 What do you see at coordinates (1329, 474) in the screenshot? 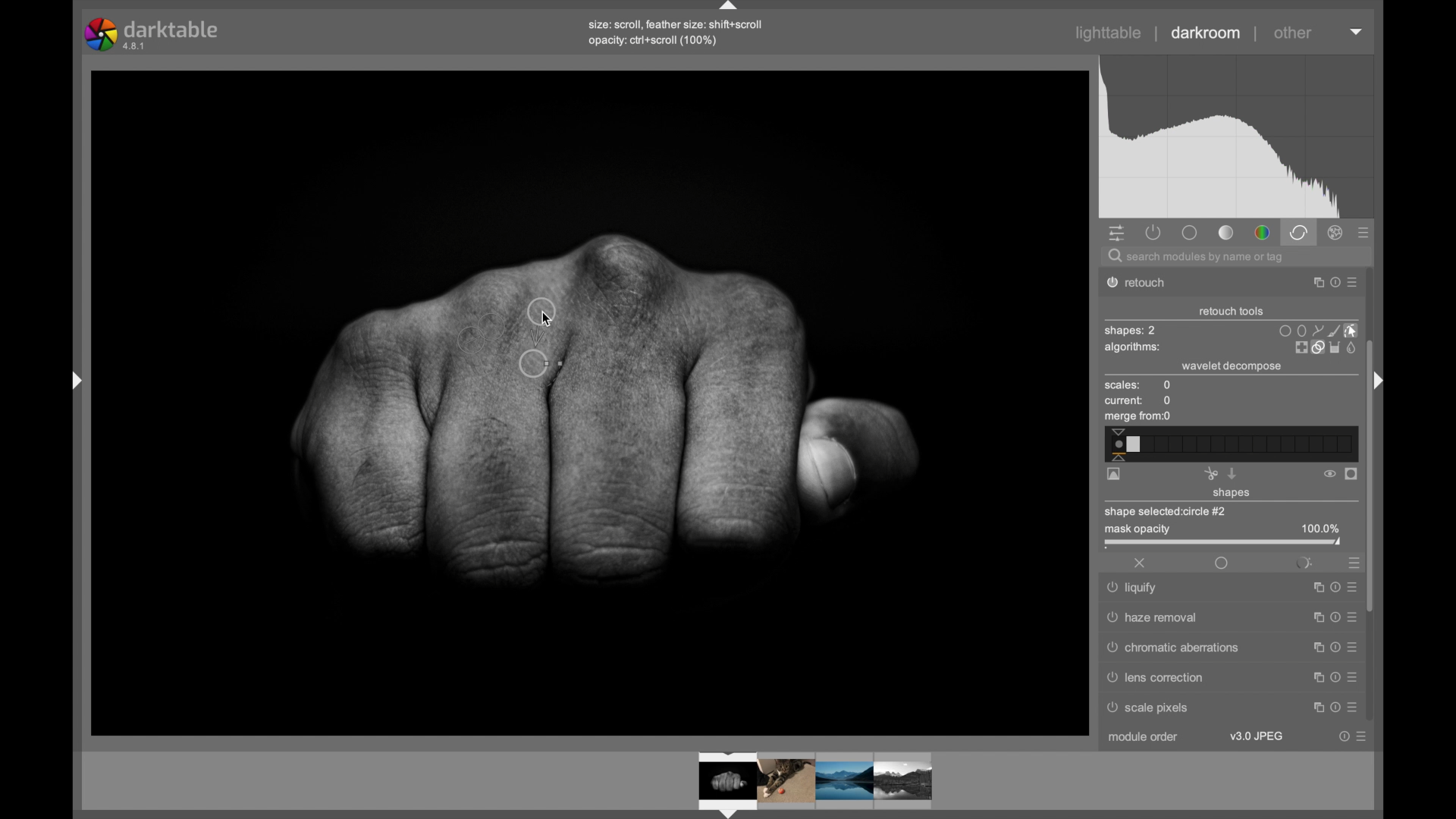
I see `switch off mask` at bounding box center [1329, 474].